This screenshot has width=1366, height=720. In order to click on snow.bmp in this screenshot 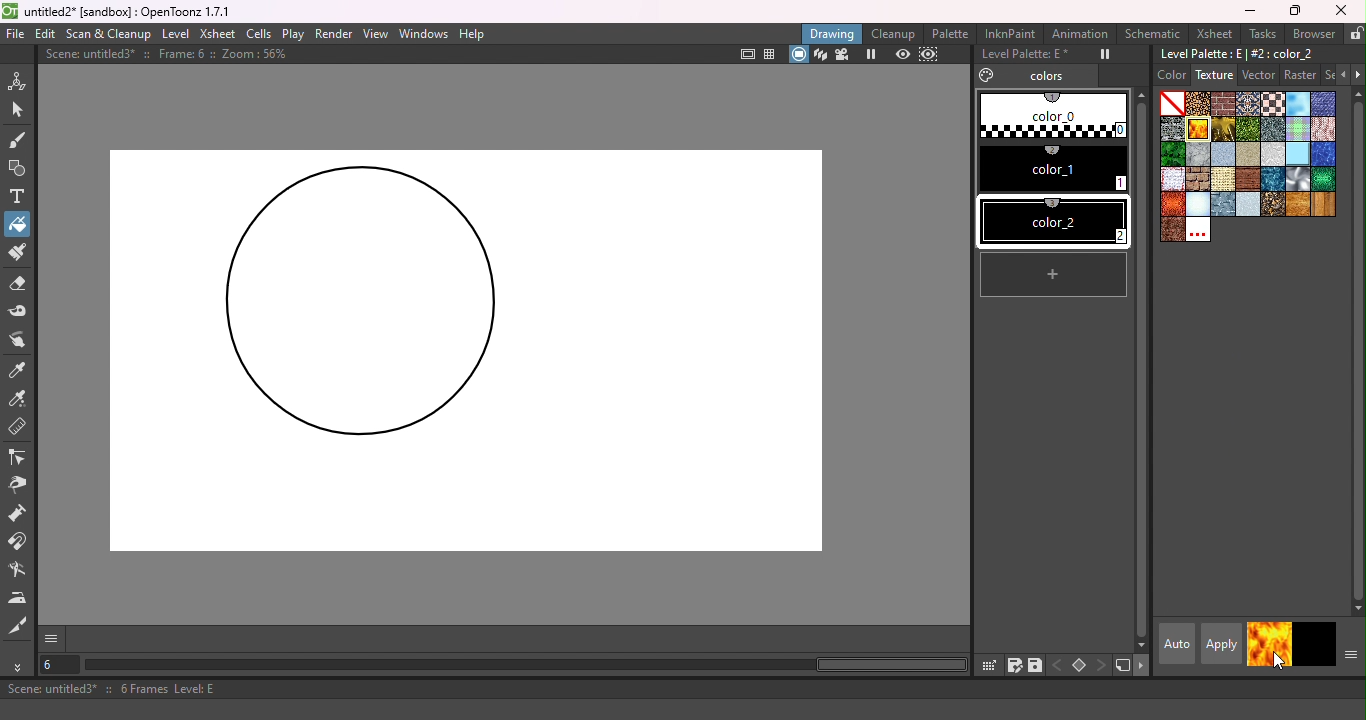, I will do `click(1199, 204)`.